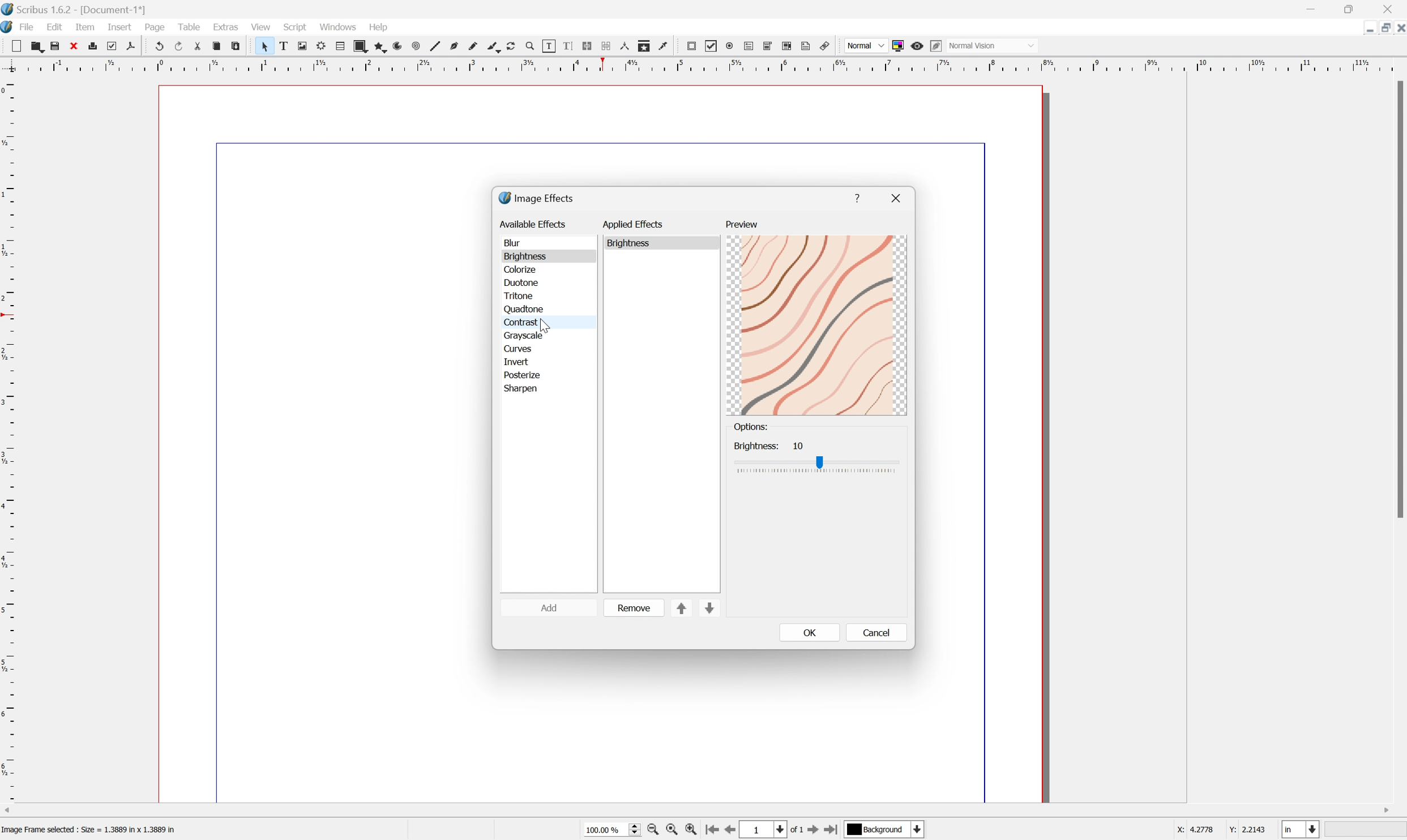 This screenshot has width=1407, height=840. I want to click on Open, so click(36, 46).